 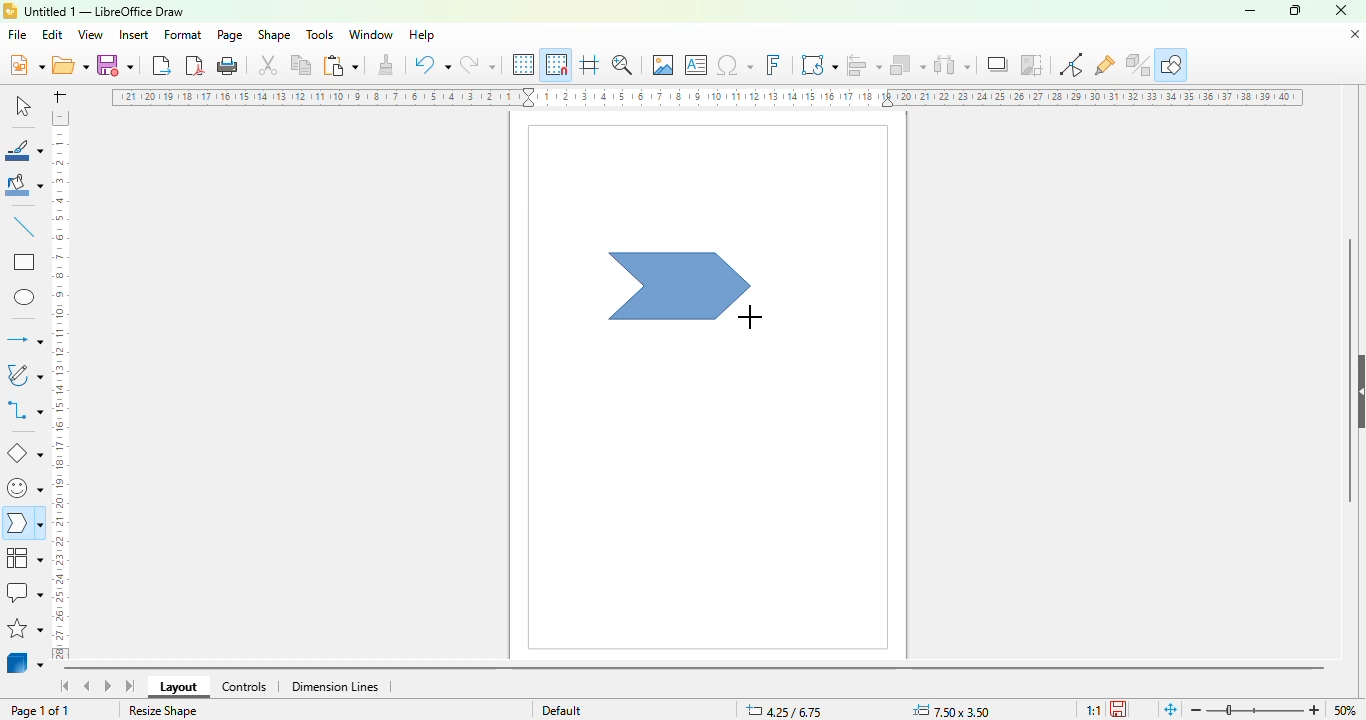 I want to click on fit page to current window, so click(x=1171, y=710).